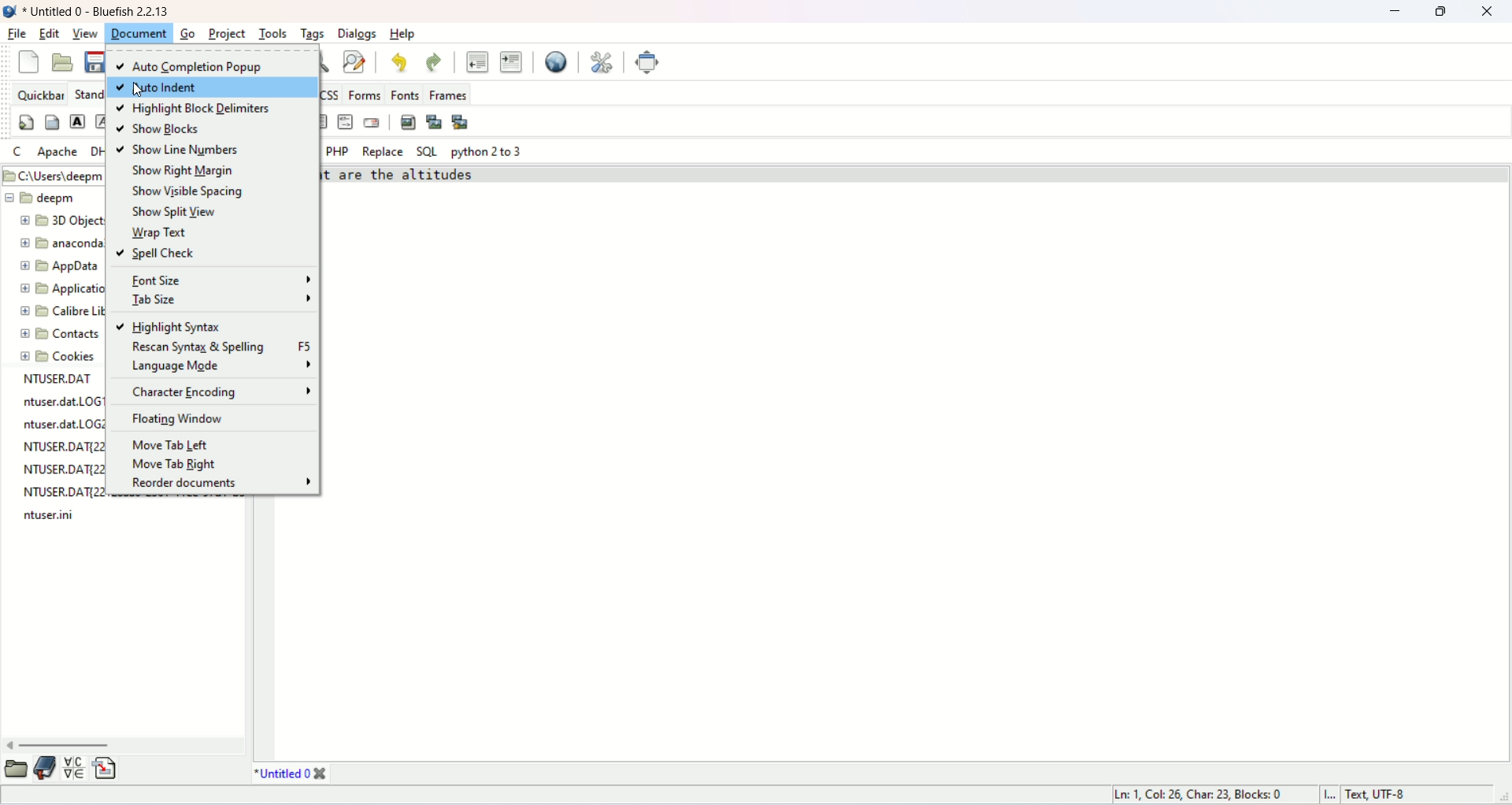  Describe the element at coordinates (432, 62) in the screenshot. I see `redo` at that location.